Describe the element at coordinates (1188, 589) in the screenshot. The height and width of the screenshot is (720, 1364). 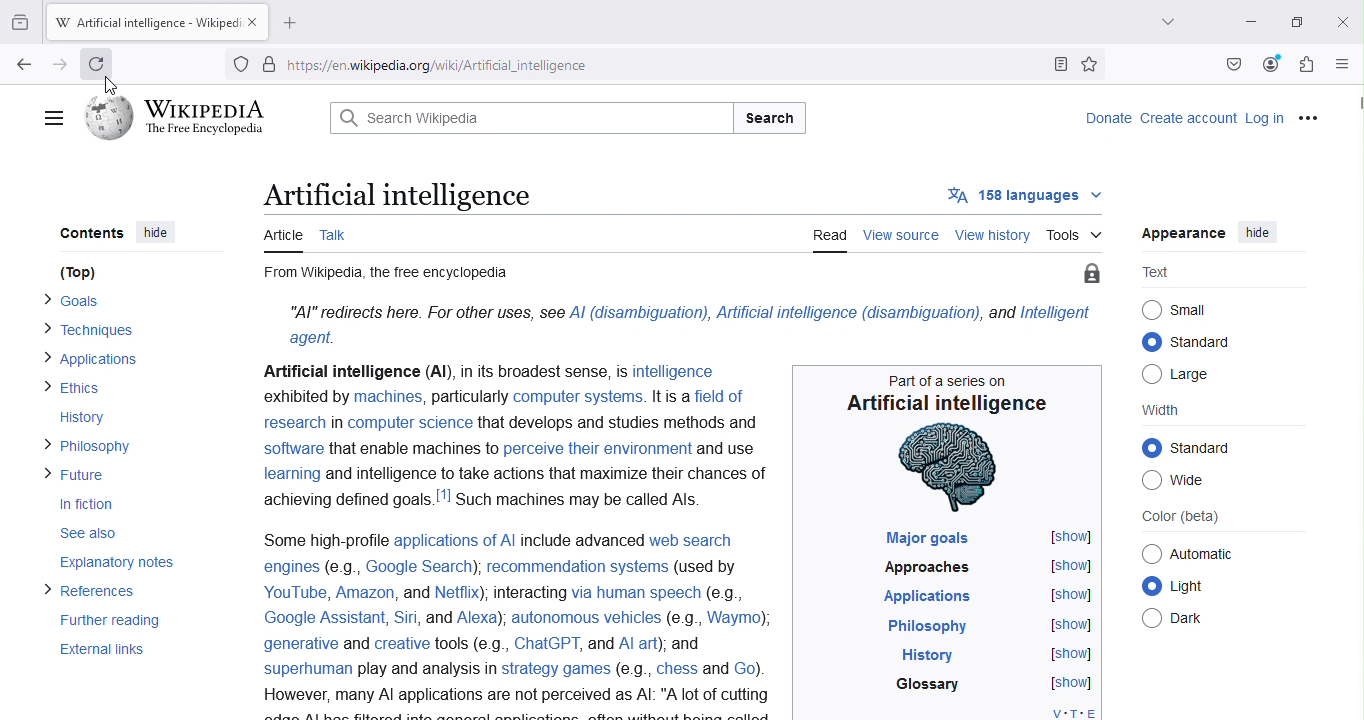
I see `Light` at that location.